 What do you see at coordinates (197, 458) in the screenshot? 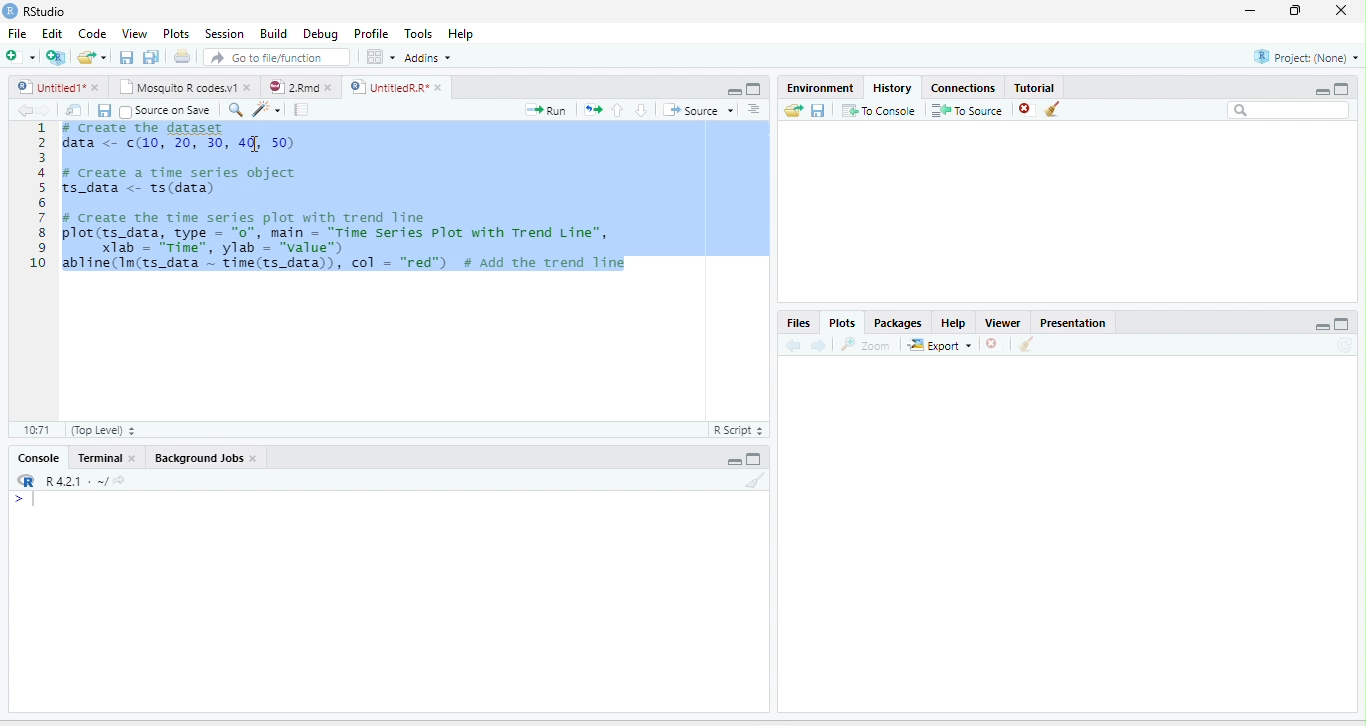
I see `Background Jobs` at bounding box center [197, 458].